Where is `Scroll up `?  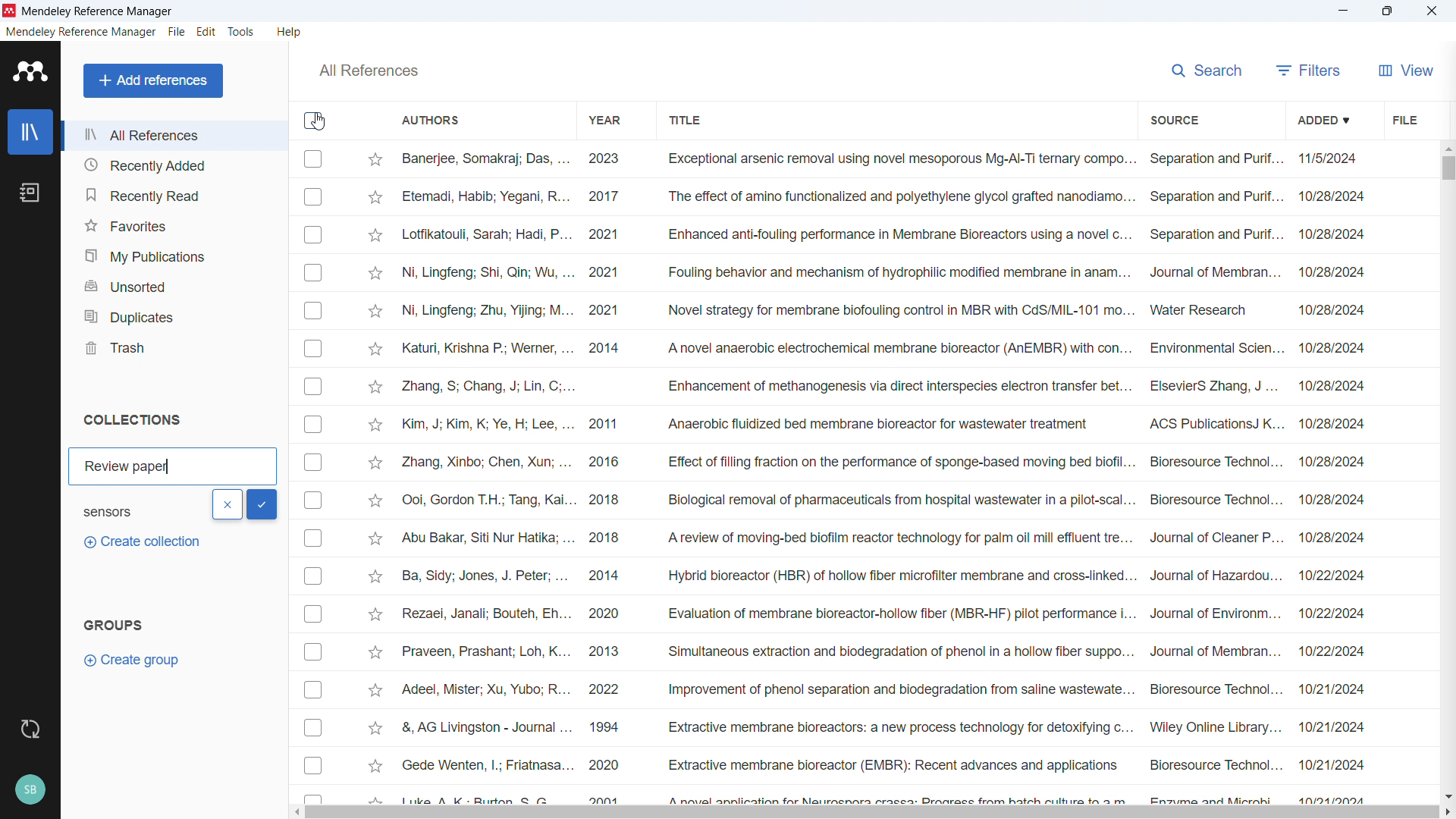 Scroll up  is located at coordinates (1447, 147).